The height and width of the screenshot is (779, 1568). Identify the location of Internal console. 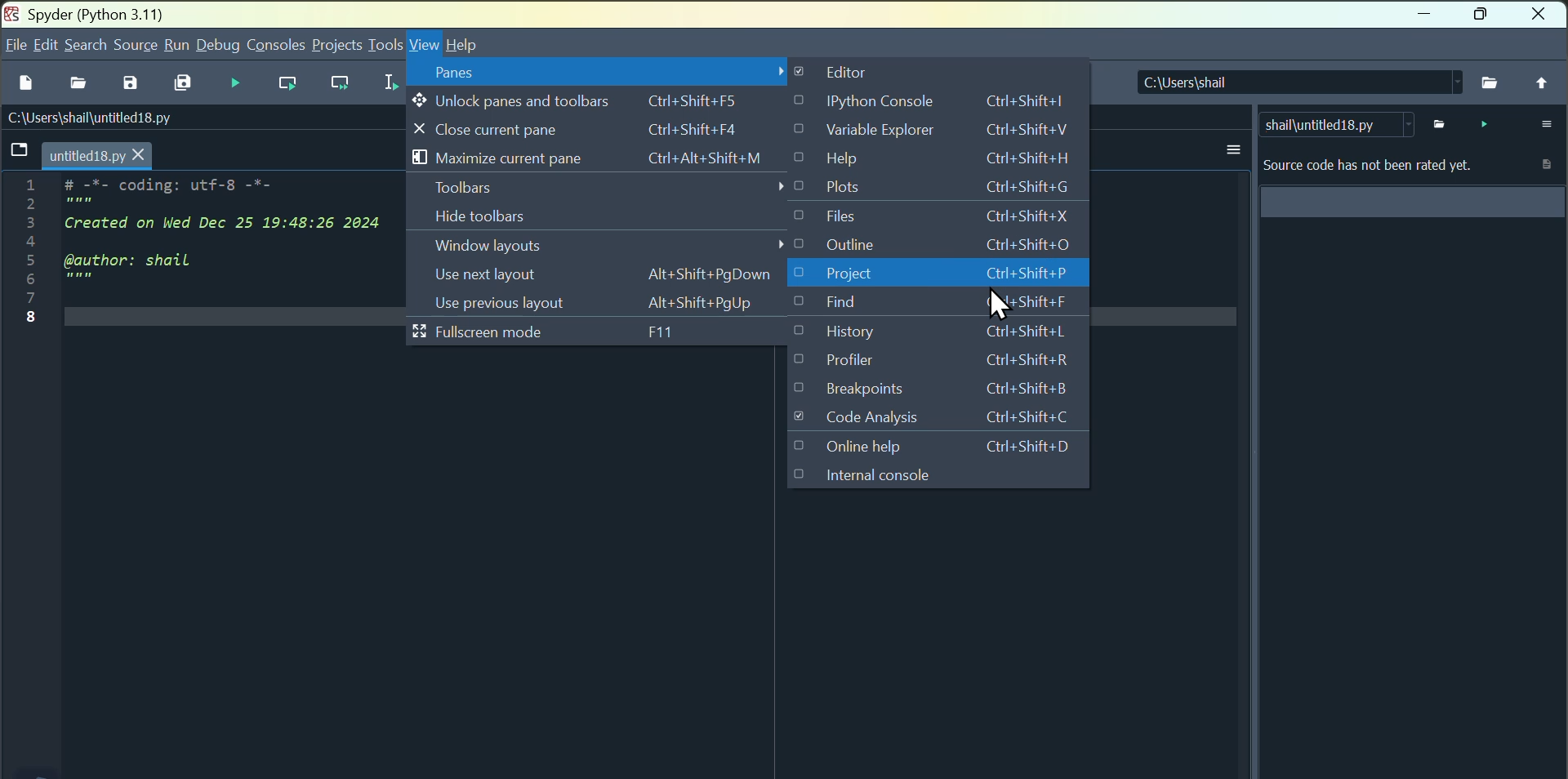
(929, 482).